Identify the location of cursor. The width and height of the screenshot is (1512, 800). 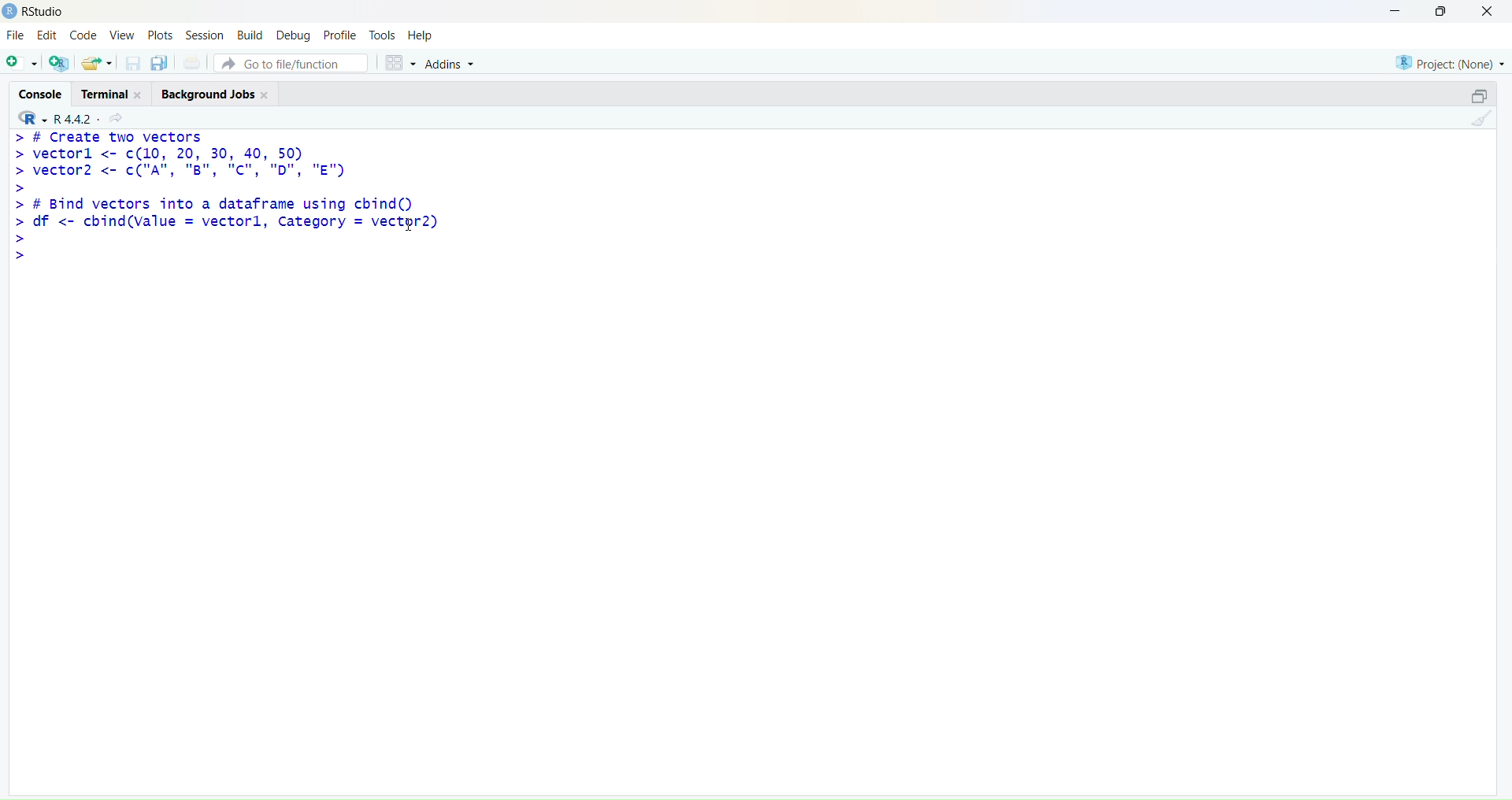
(409, 224).